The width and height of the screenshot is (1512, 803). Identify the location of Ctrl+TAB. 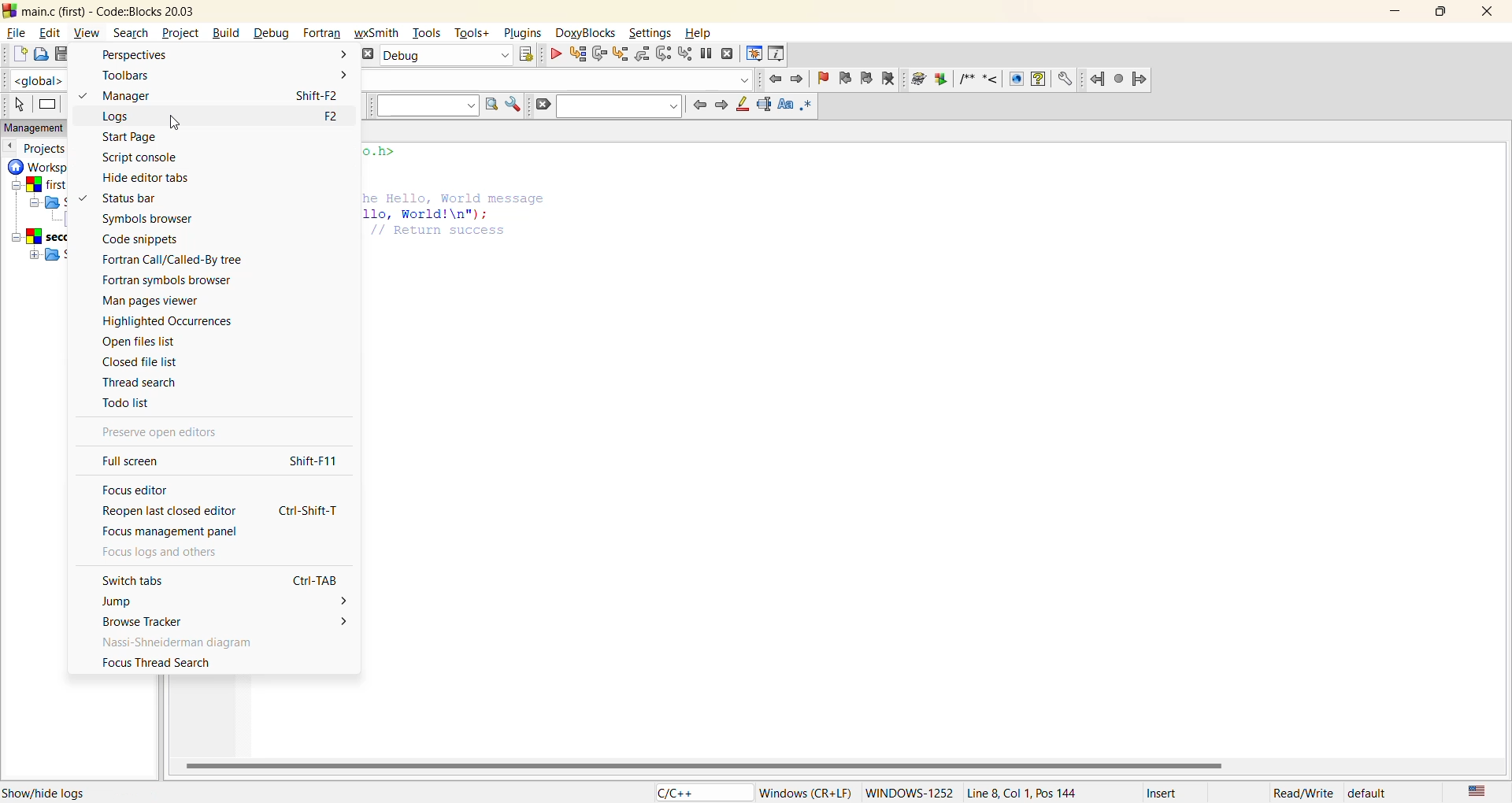
(319, 581).